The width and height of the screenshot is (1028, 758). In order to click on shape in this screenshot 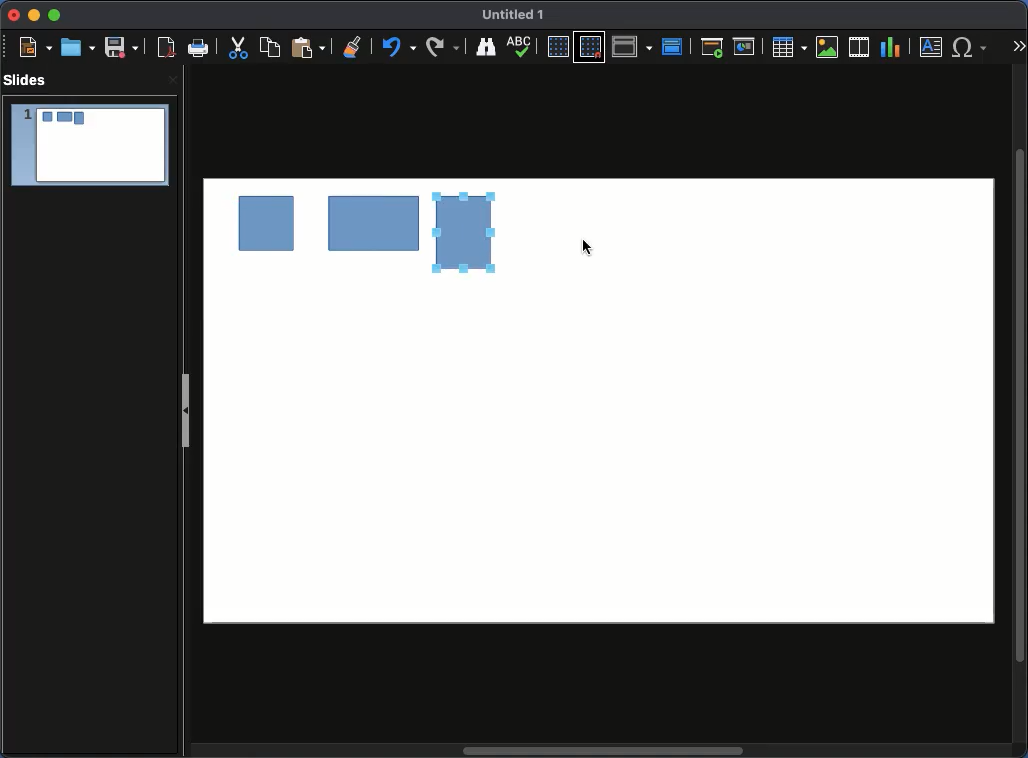, I will do `click(372, 226)`.